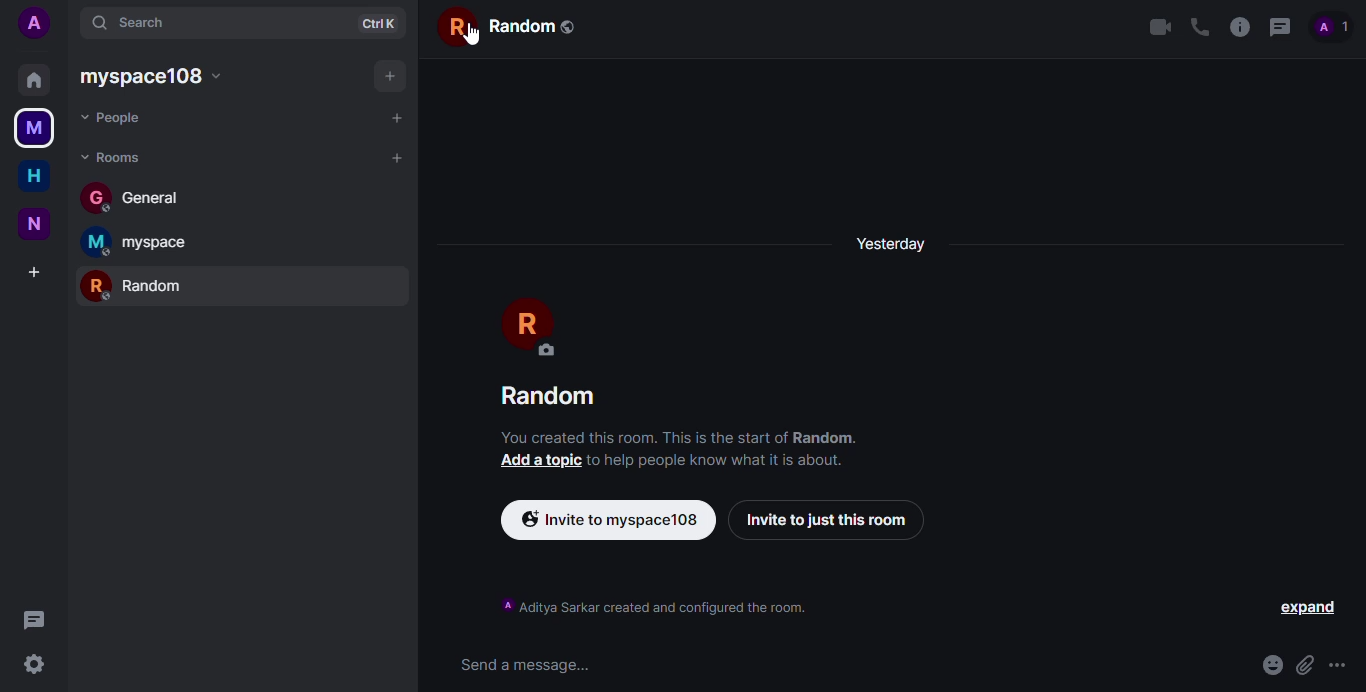 This screenshot has width=1366, height=692. What do you see at coordinates (31, 78) in the screenshot?
I see `home` at bounding box center [31, 78].